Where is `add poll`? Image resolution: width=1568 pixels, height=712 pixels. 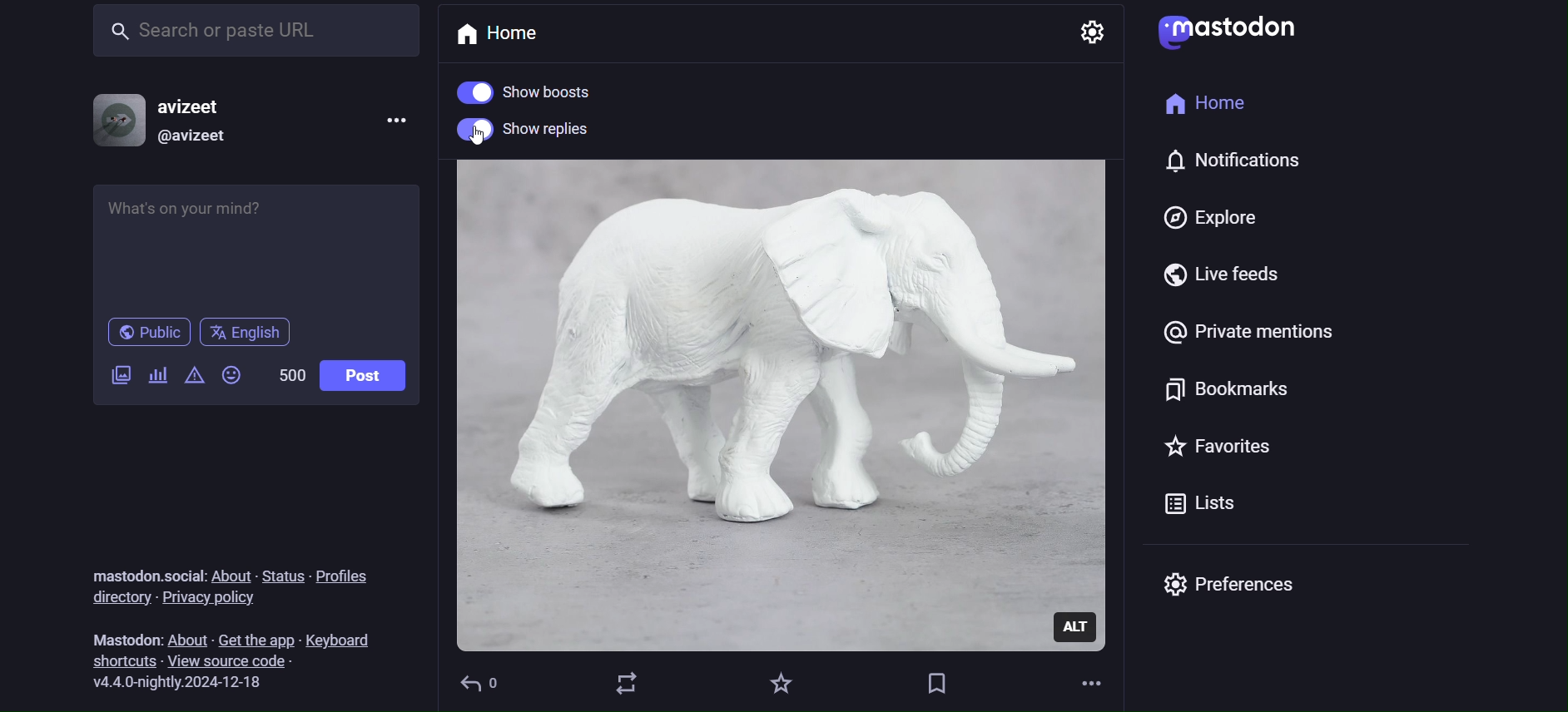
add poll is located at coordinates (158, 378).